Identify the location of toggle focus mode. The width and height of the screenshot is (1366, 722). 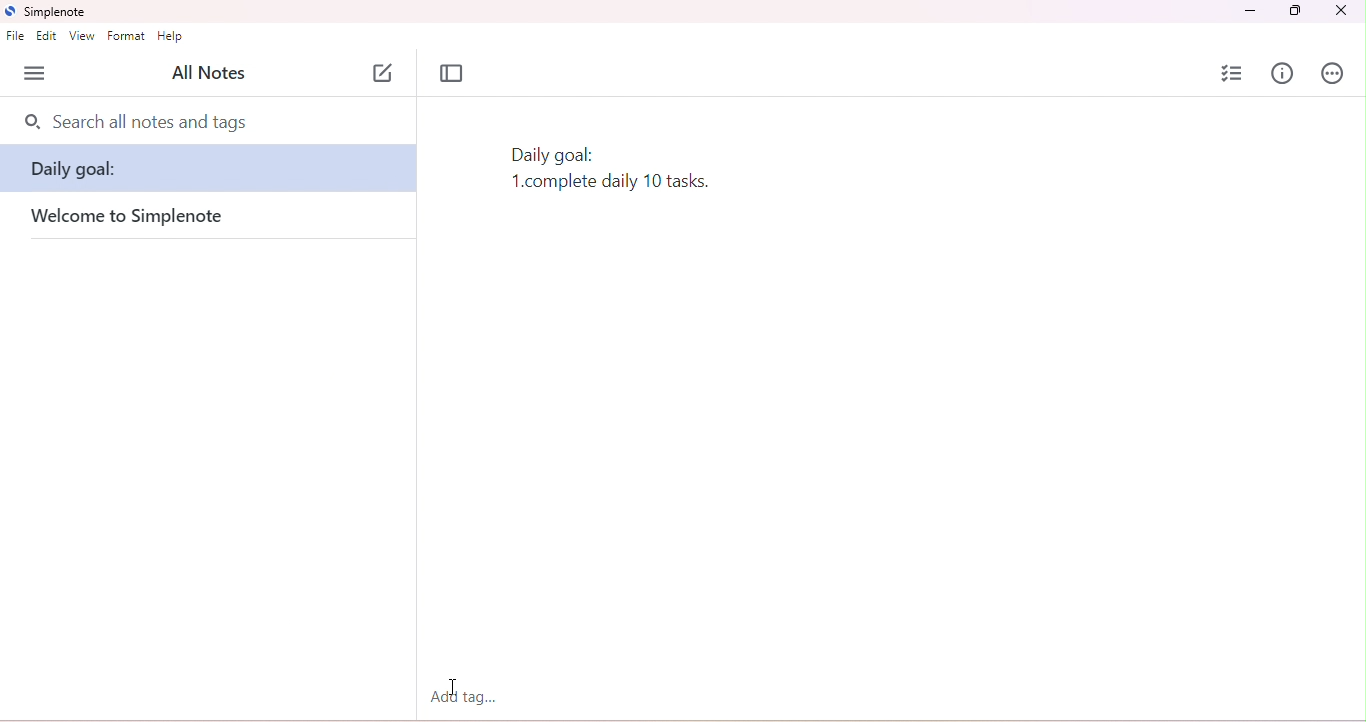
(454, 74).